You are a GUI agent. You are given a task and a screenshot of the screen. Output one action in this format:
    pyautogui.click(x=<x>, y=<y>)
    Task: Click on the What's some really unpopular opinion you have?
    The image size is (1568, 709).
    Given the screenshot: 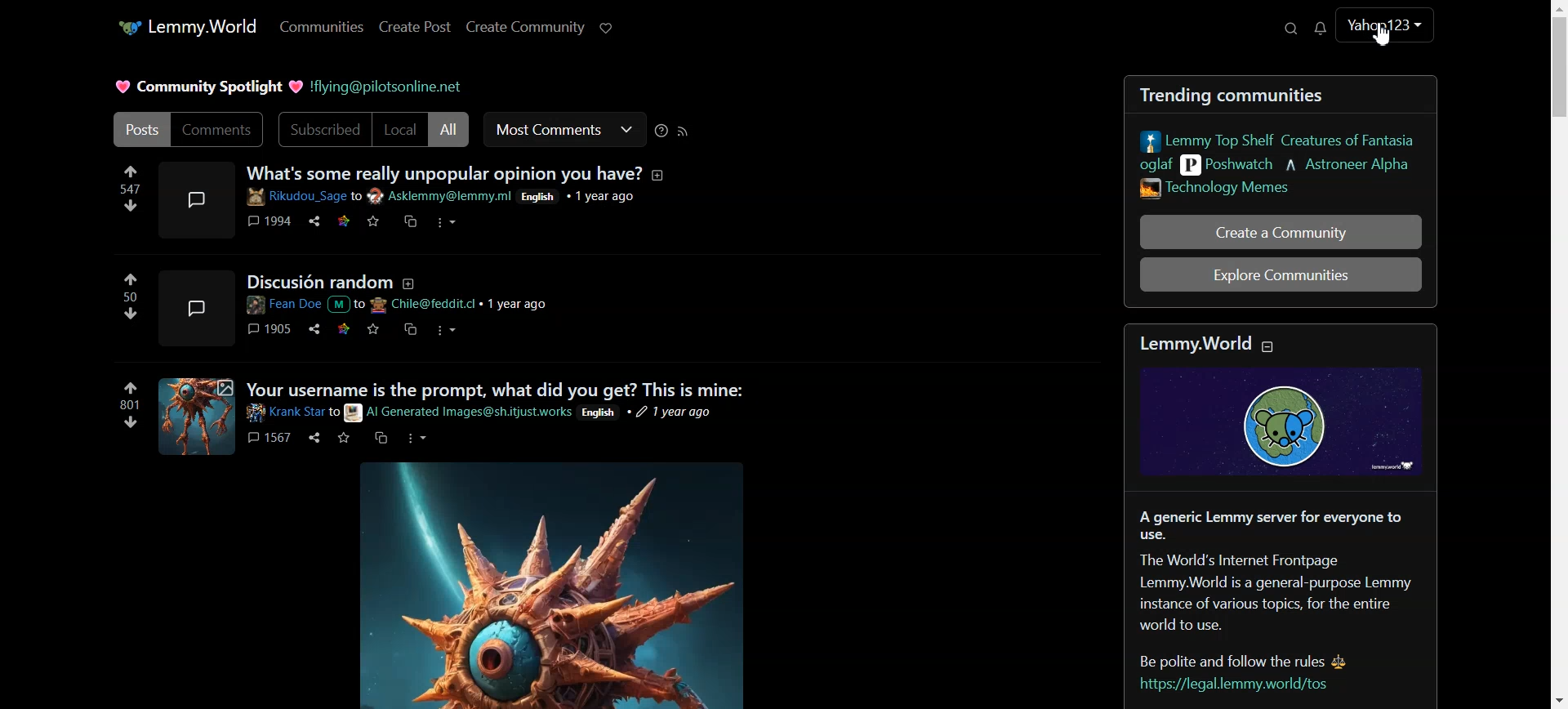 What is the action you would take?
    pyautogui.click(x=390, y=206)
    